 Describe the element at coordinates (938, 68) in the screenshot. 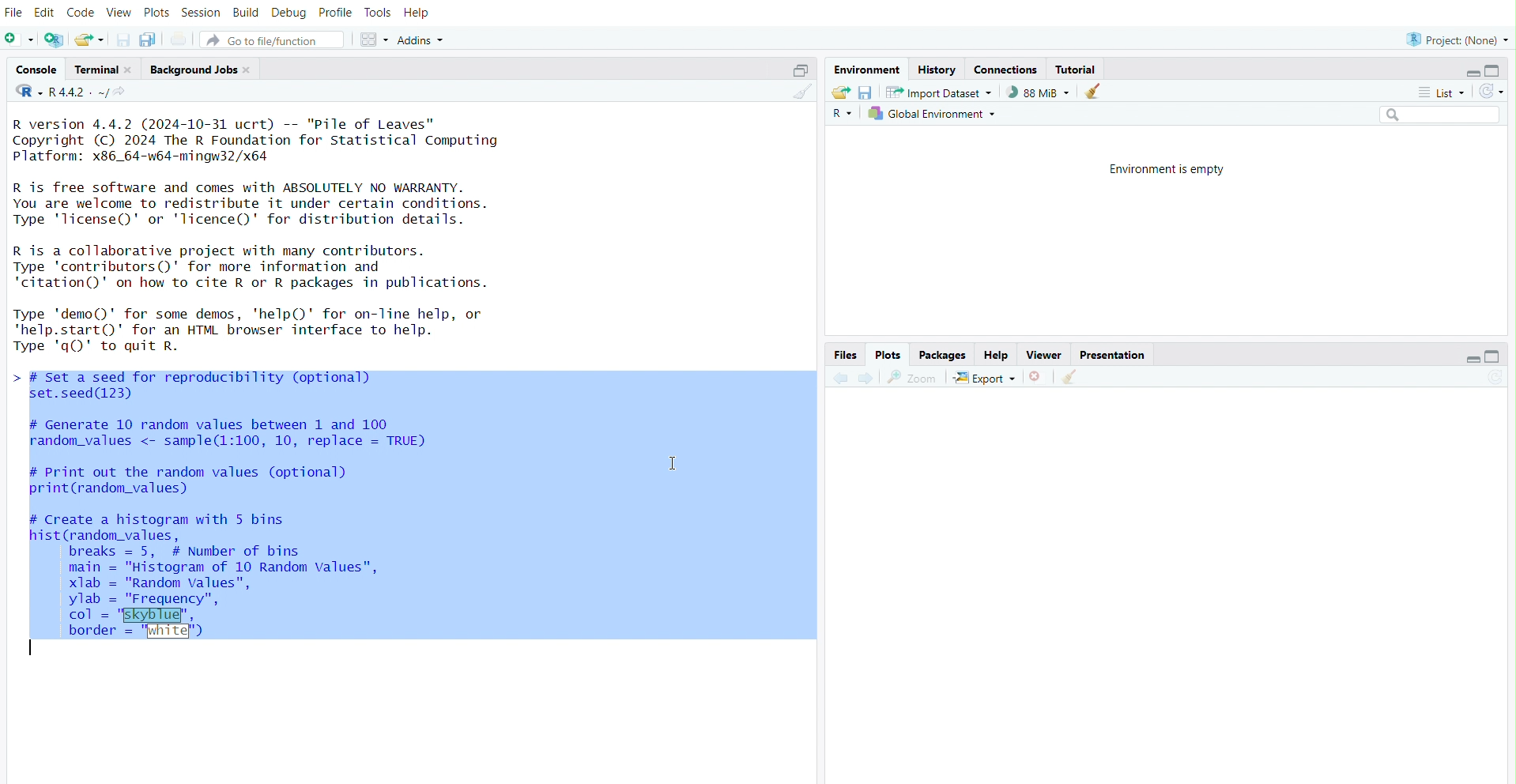

I see `history` at that location.